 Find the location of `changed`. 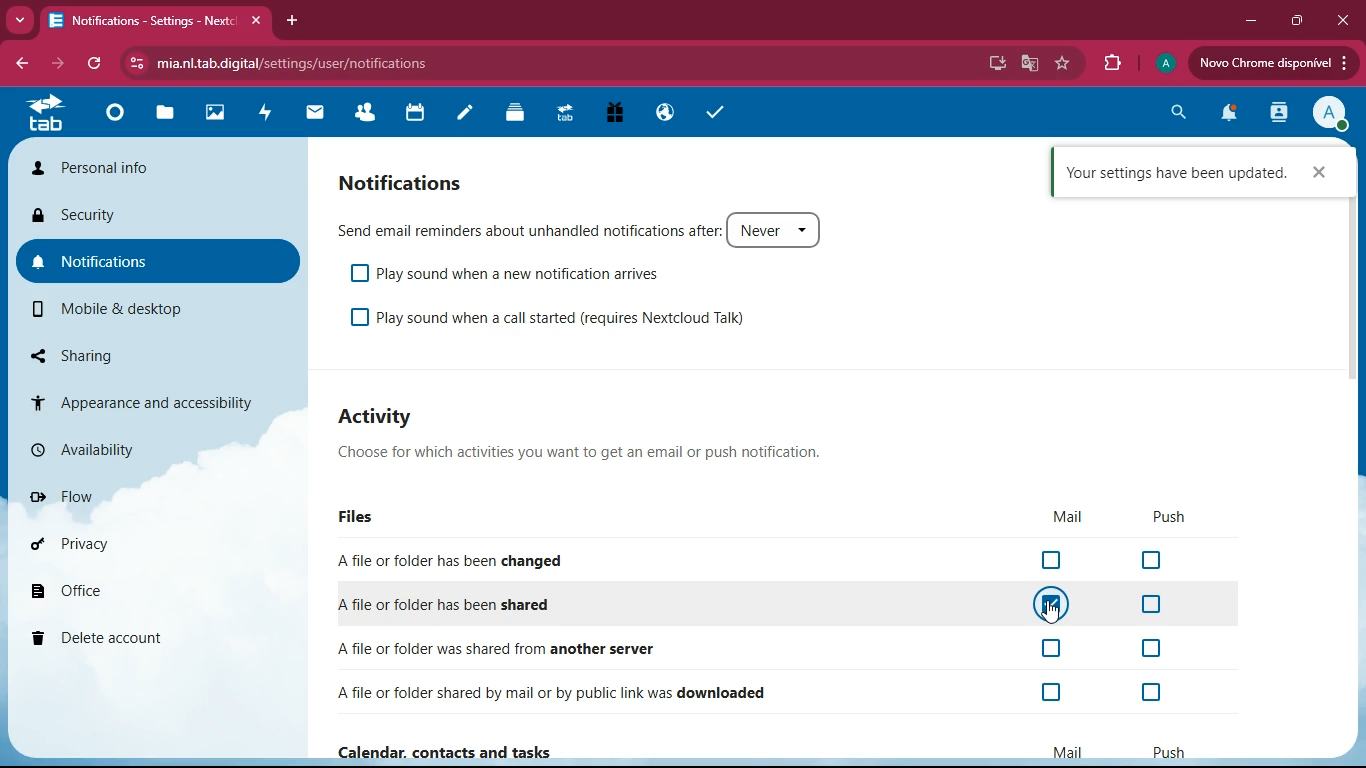

changed is located at coordinates (464, 562).